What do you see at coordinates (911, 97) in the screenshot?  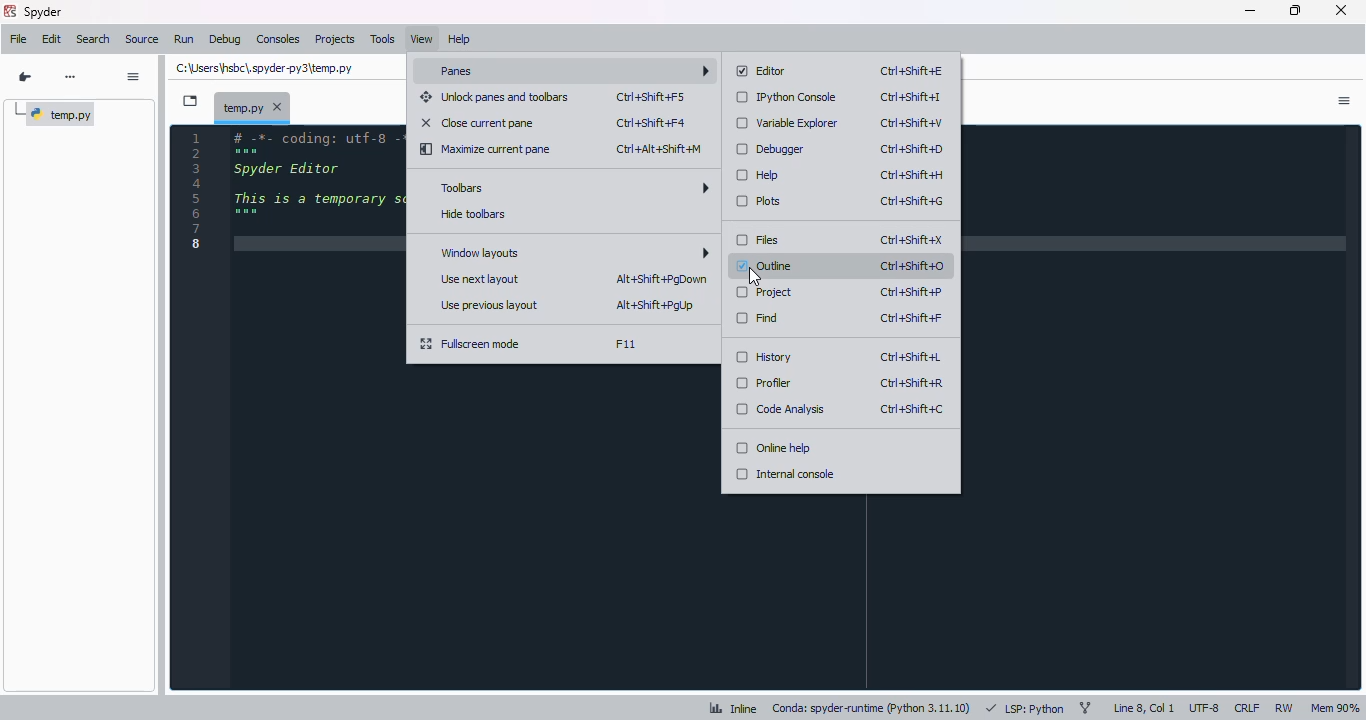 I see `shortcut for IPython console` at bounding box center [911, 97].